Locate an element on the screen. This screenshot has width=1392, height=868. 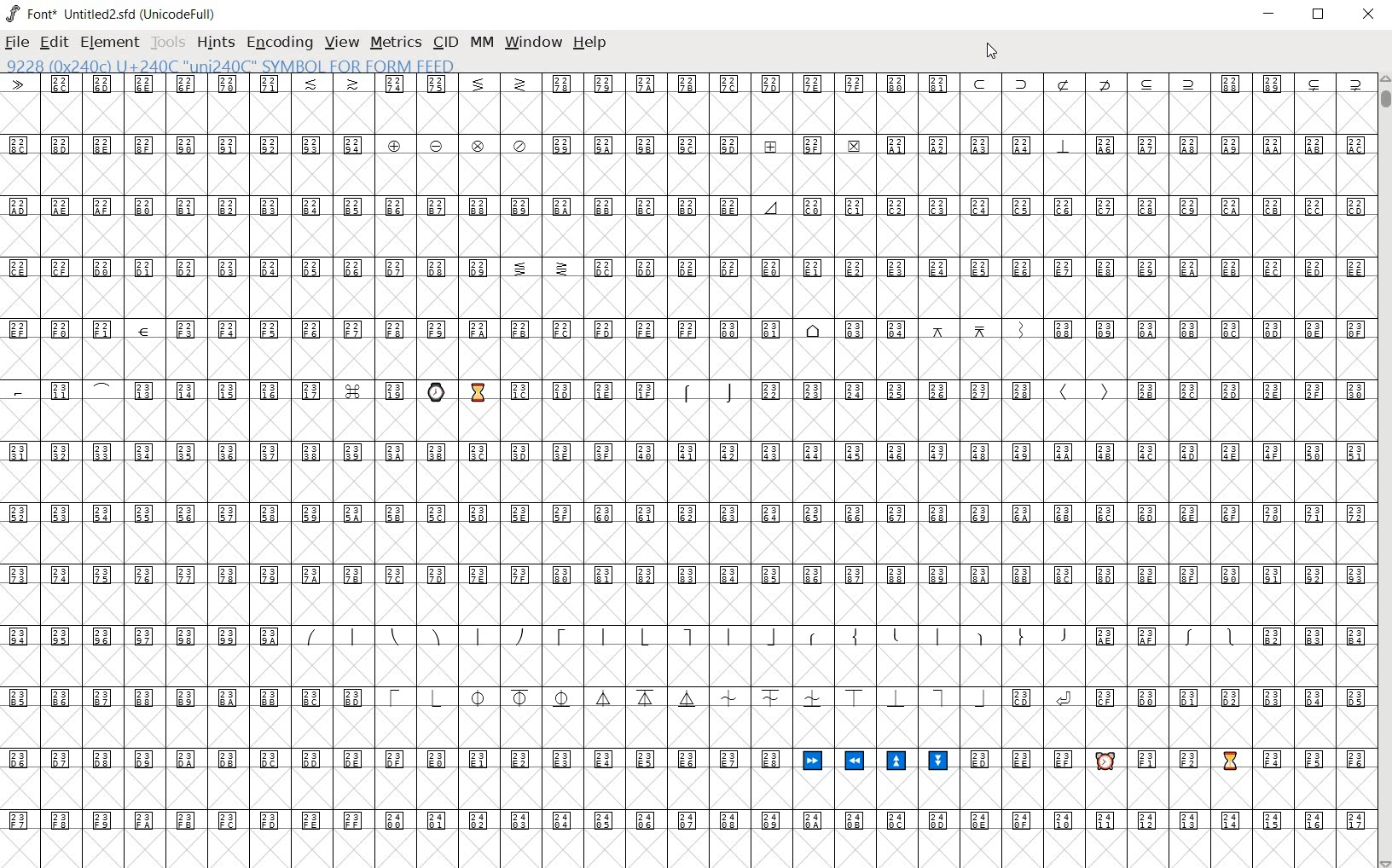
scrollbar is located at coordinates (1383, 471).